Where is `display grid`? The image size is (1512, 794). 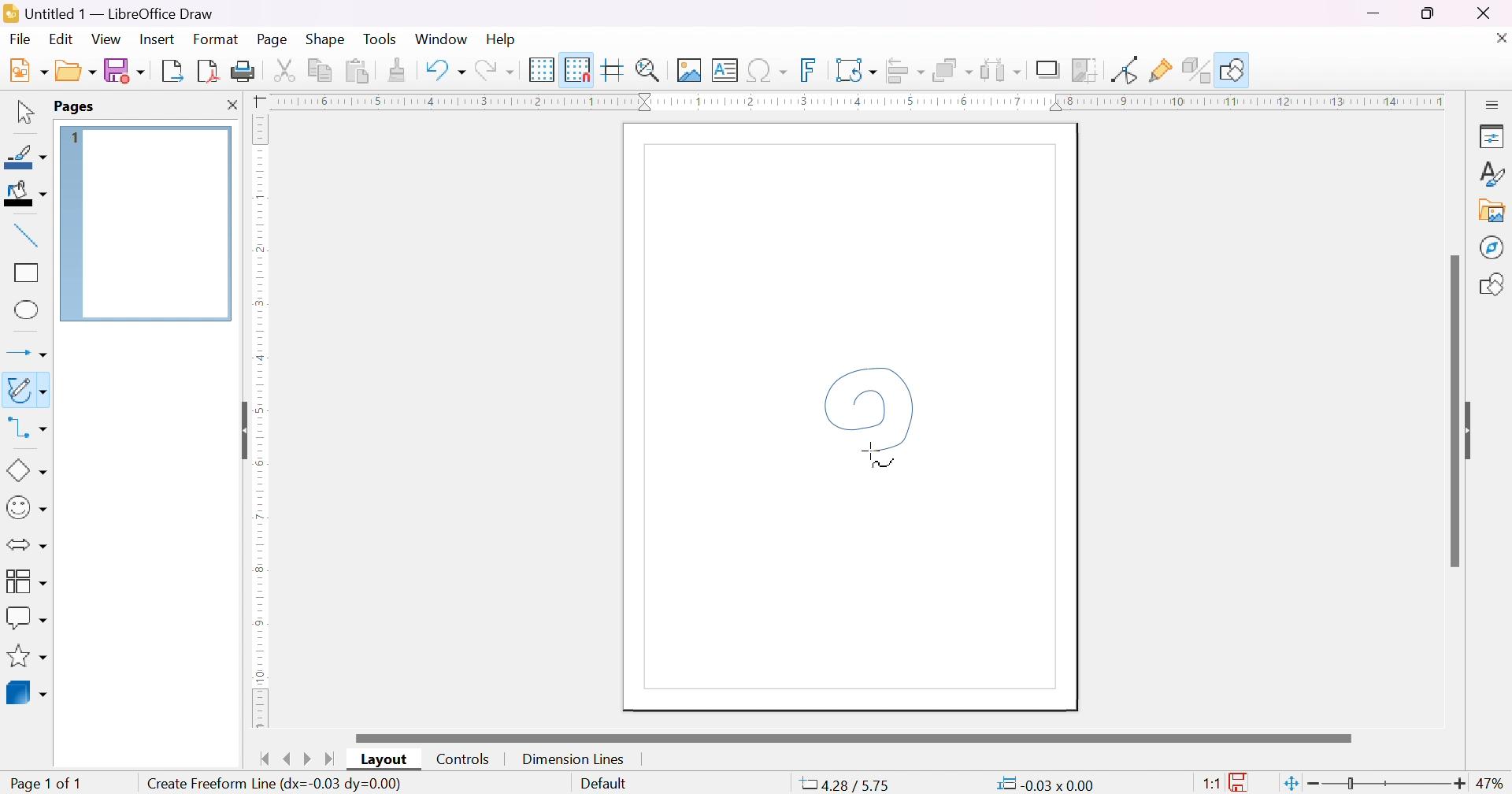
display grid is located at coordinates (542, 70).